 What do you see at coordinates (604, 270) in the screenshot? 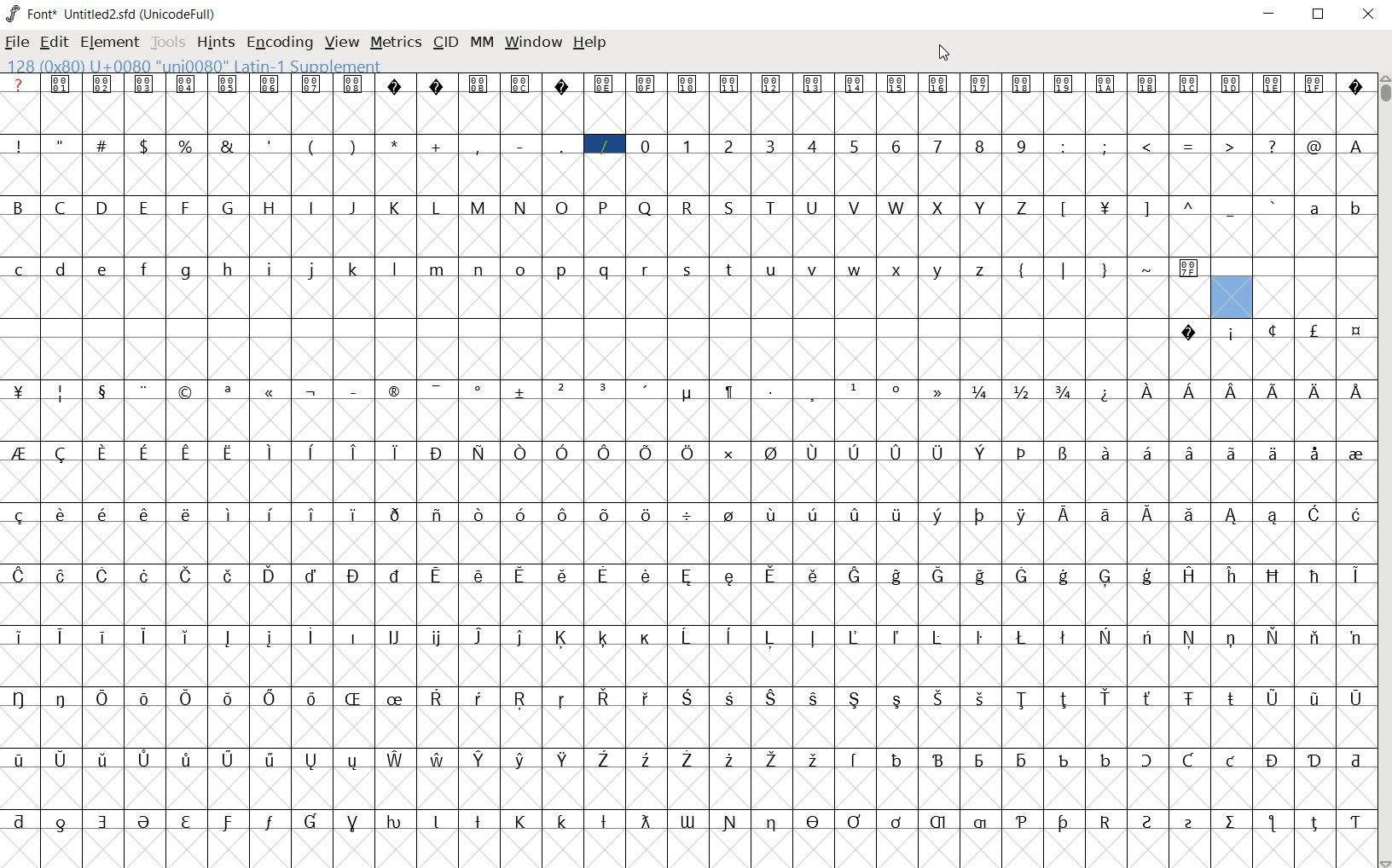
I see `glyph` at bounding box center [604, 270].